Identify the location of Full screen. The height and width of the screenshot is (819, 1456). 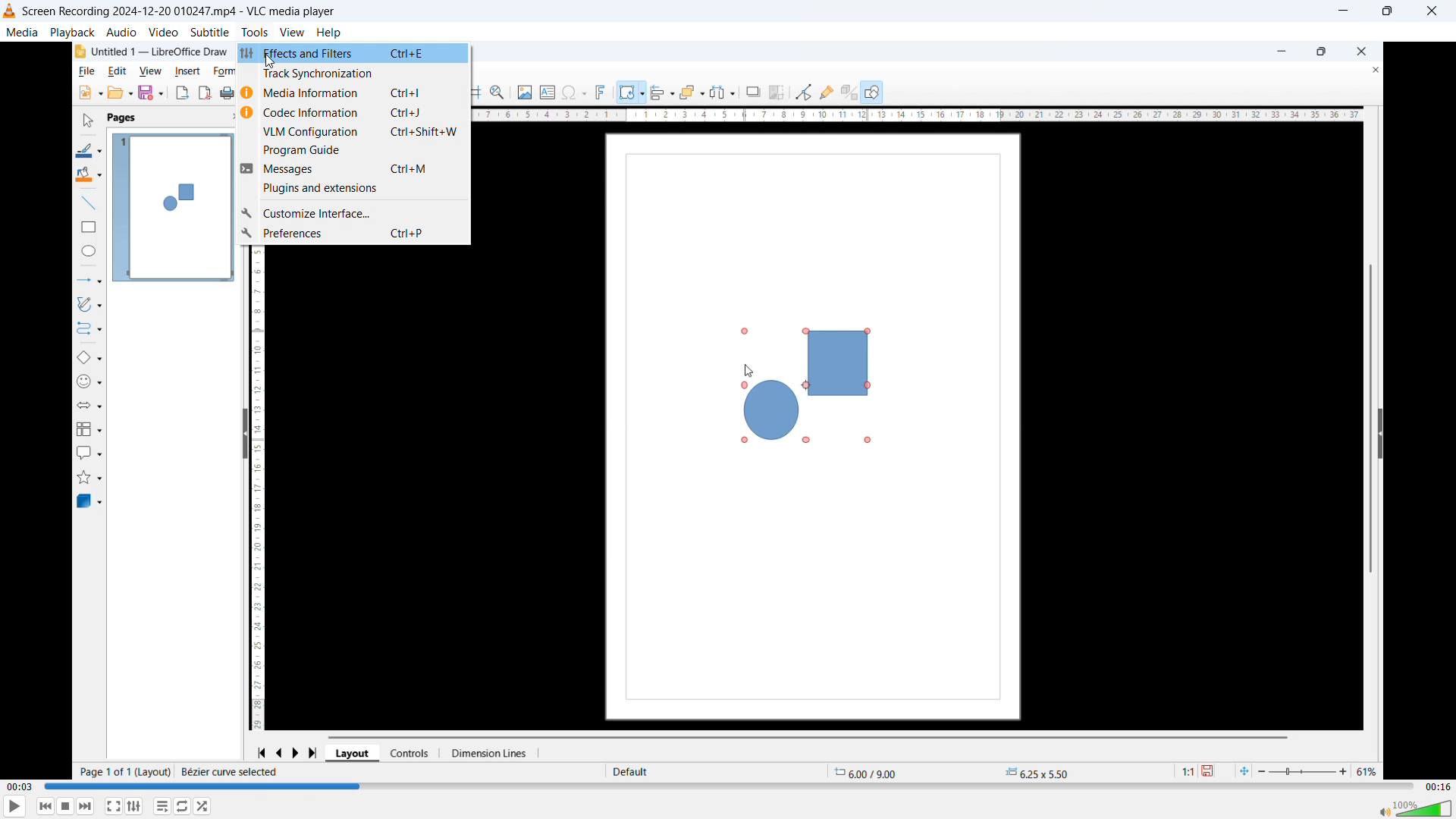
(114, 806).